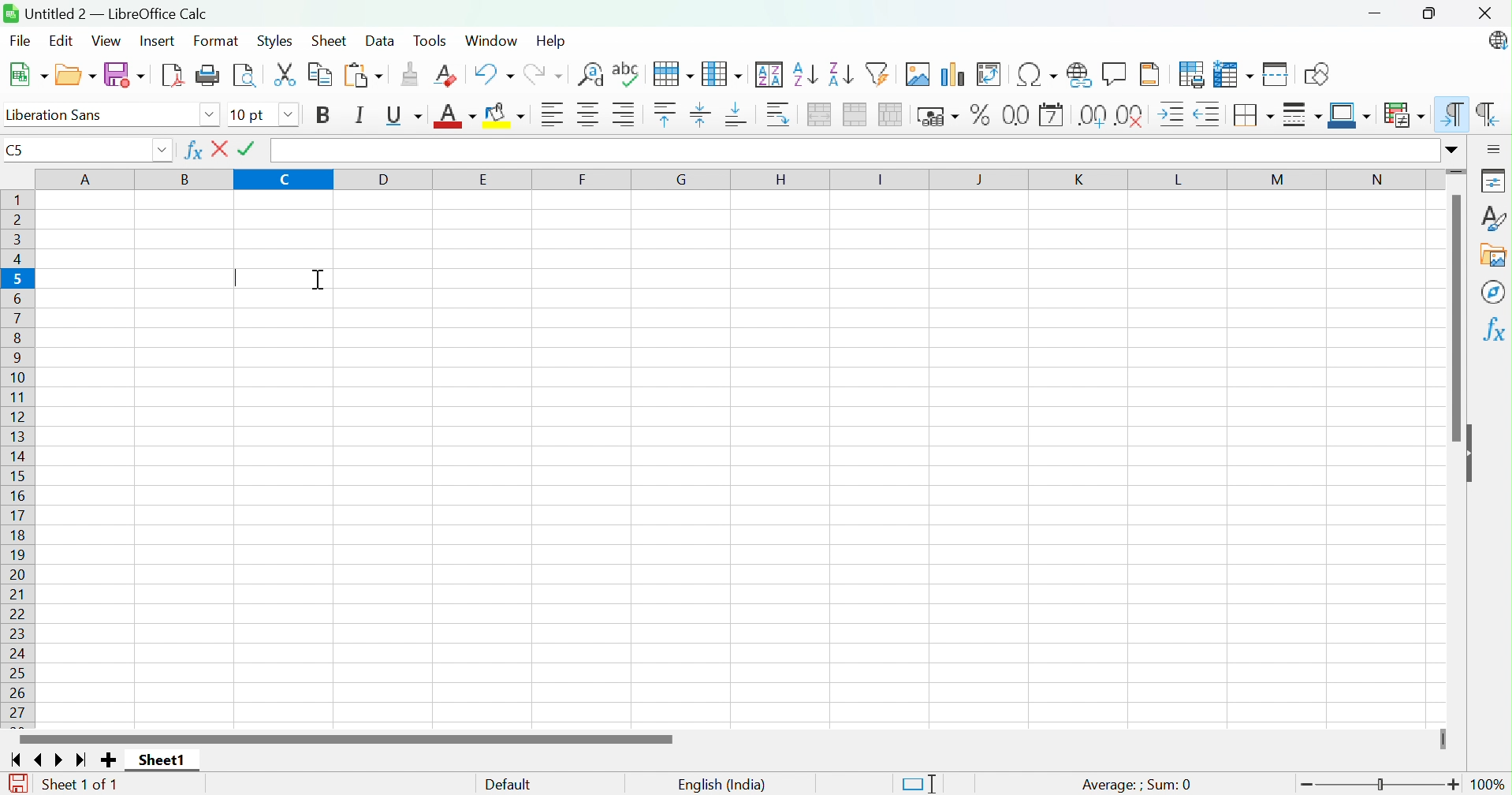  I want to click on Font name, so click(251, 116).